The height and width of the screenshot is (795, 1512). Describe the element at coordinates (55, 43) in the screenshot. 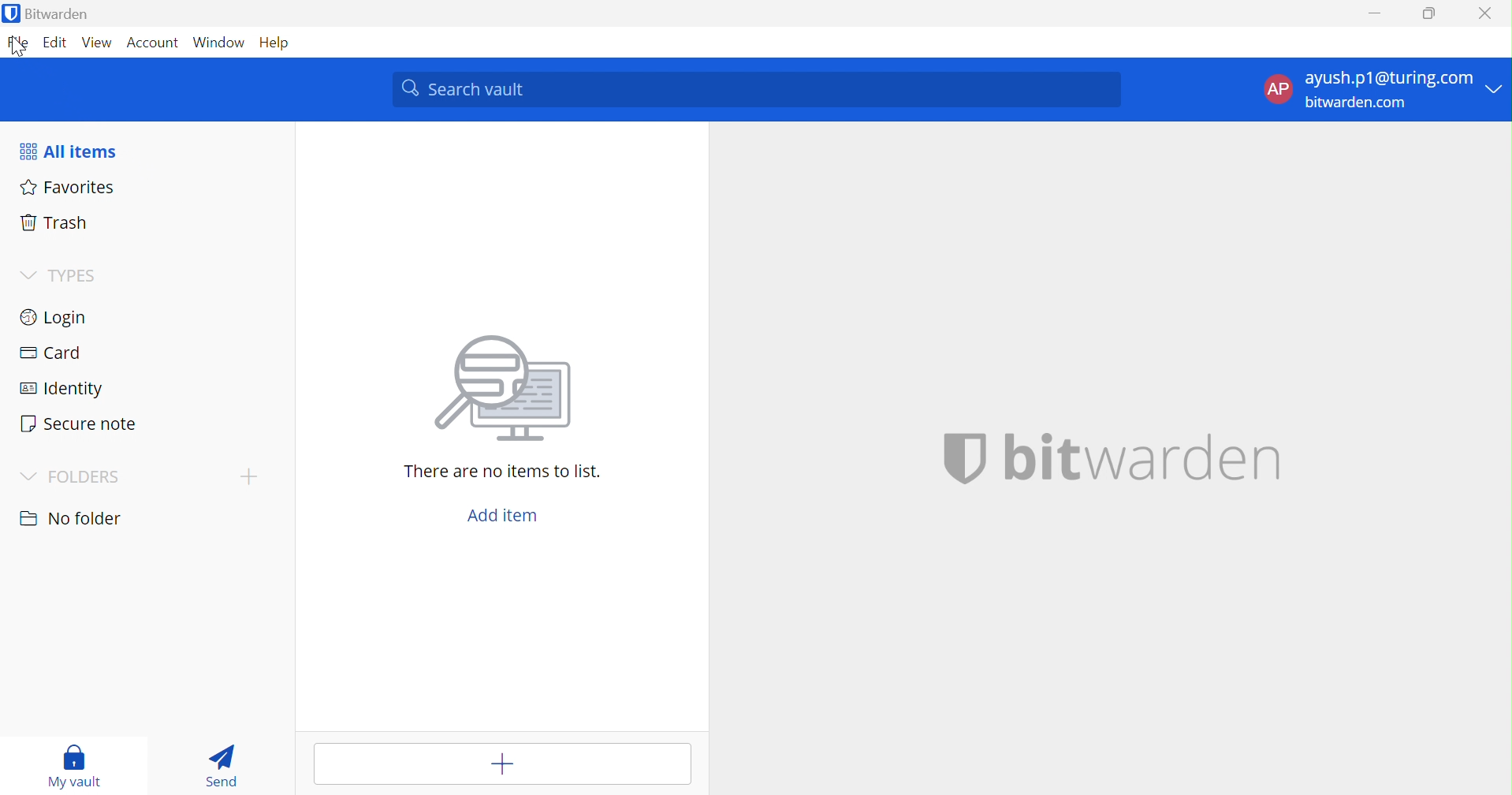

I see `Edit` at that location.